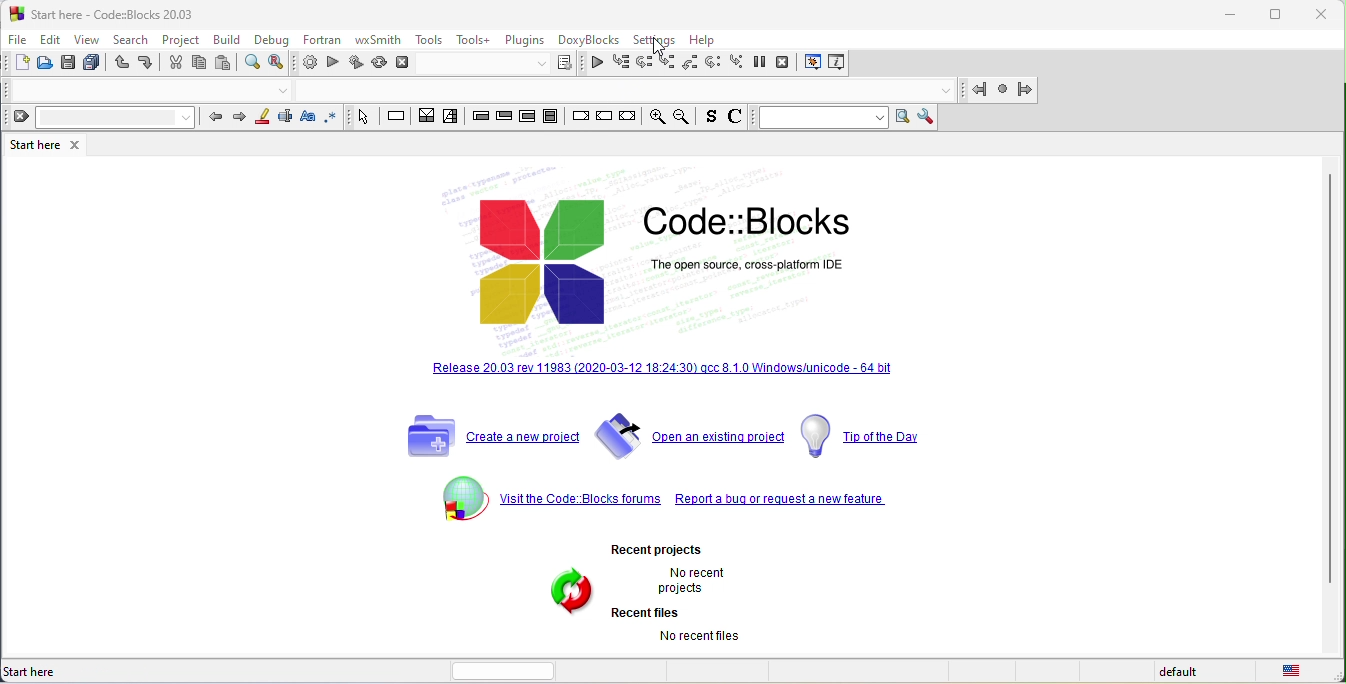  I want to click on start here, so click(32, 145).